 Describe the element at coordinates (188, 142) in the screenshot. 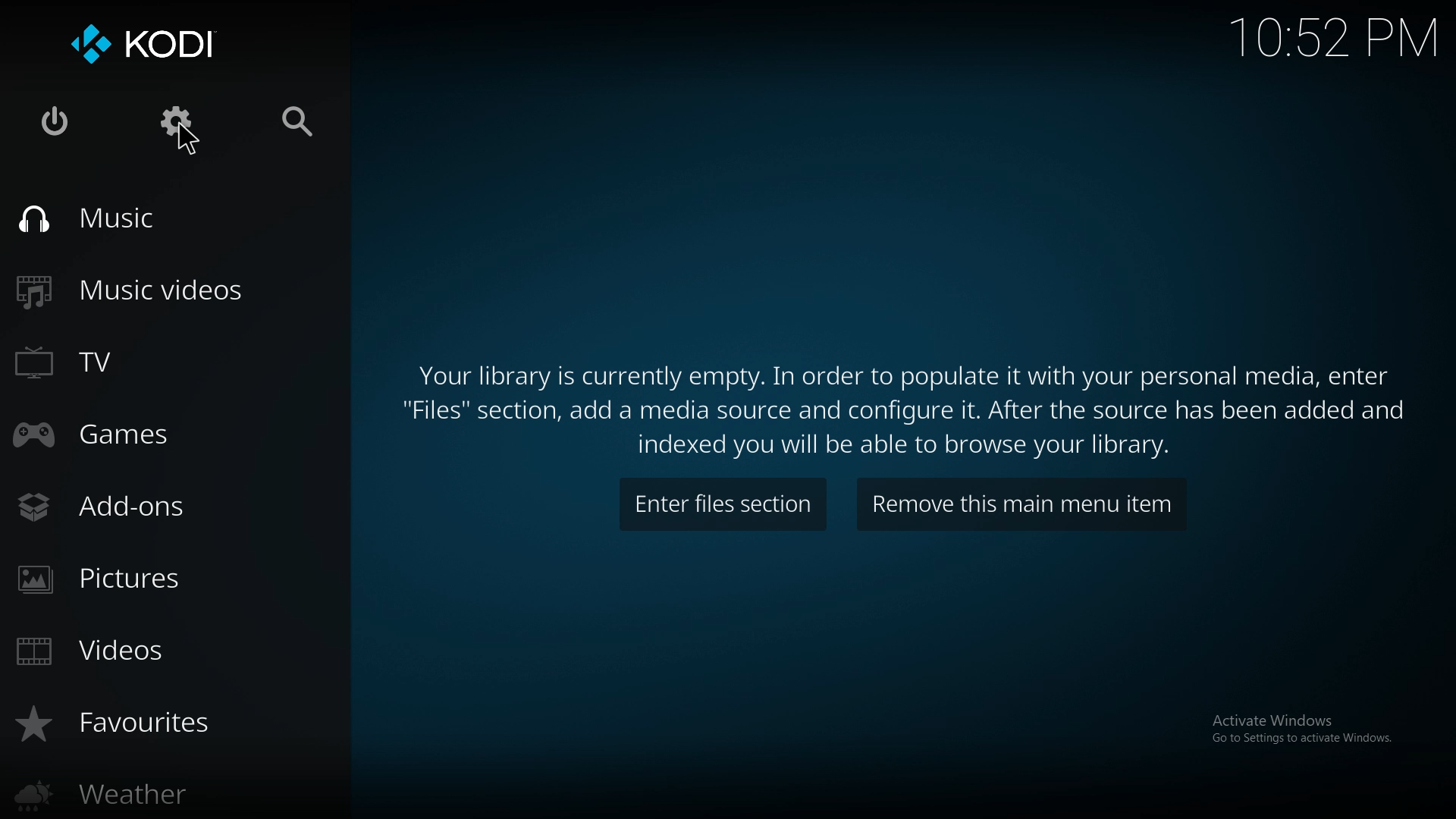

I see `cursor` at that location.